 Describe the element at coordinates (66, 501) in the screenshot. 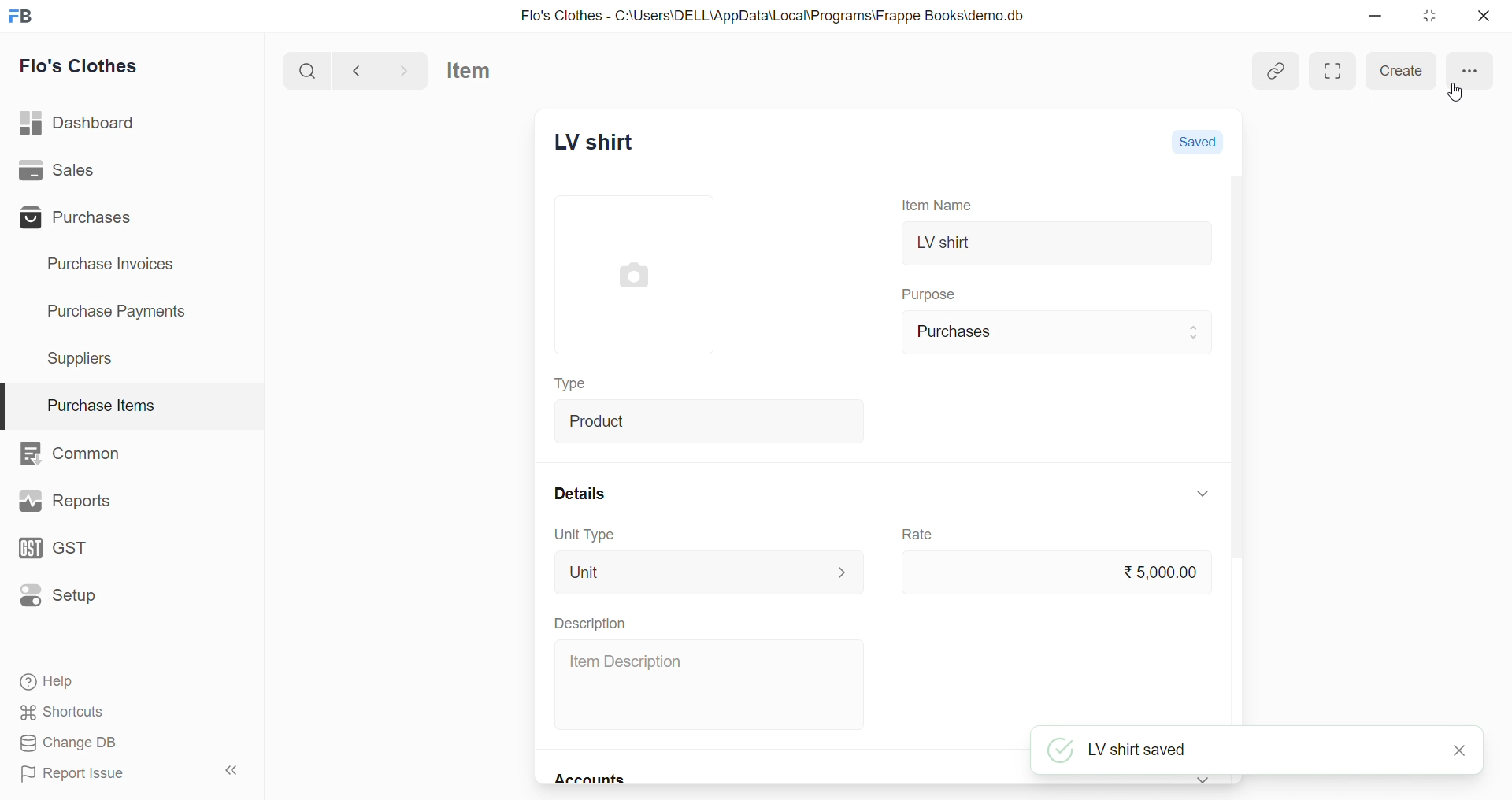

I see `Reports` at that location.